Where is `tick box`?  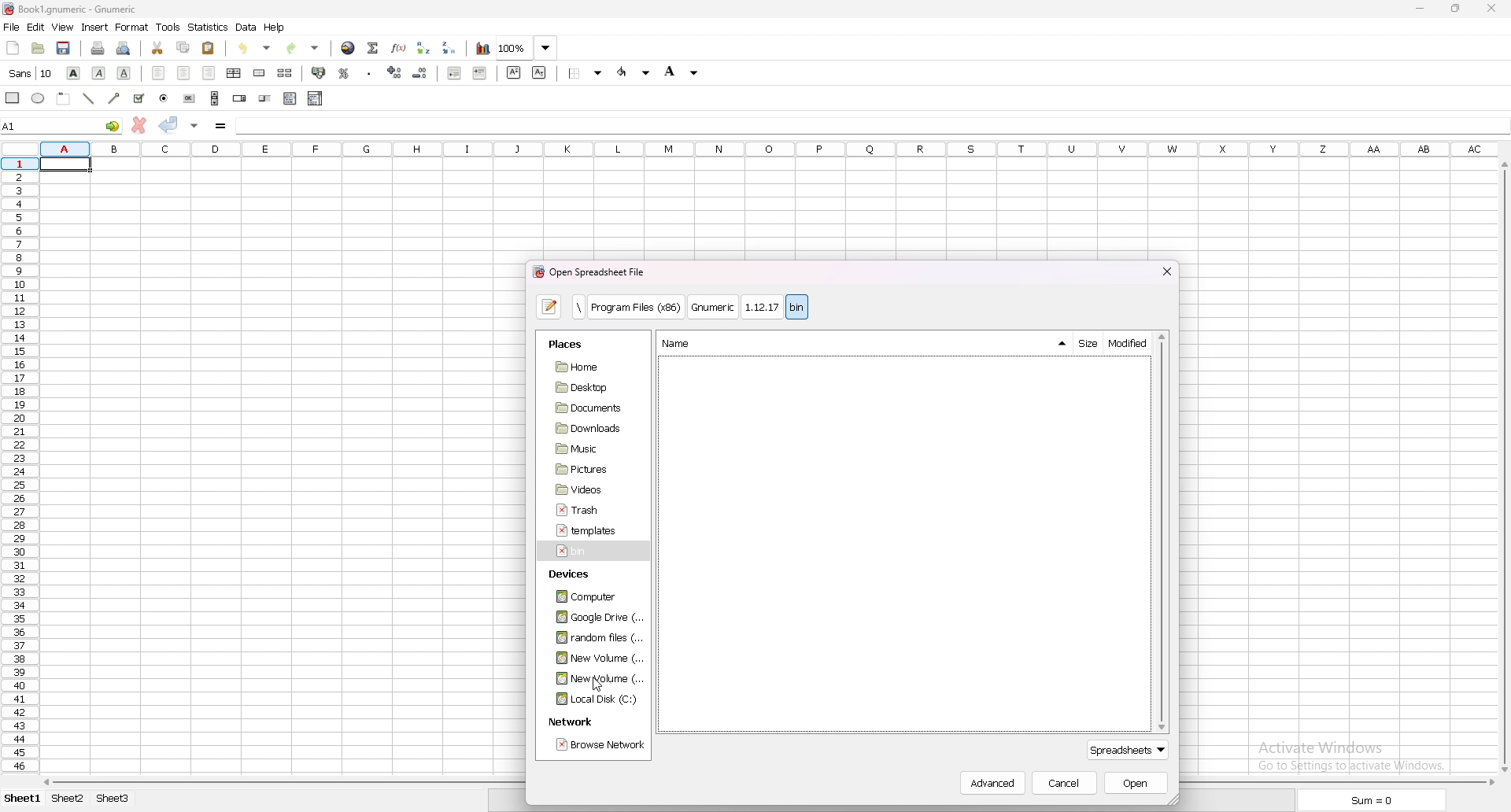
tick box is located at coordinates (139, 98).